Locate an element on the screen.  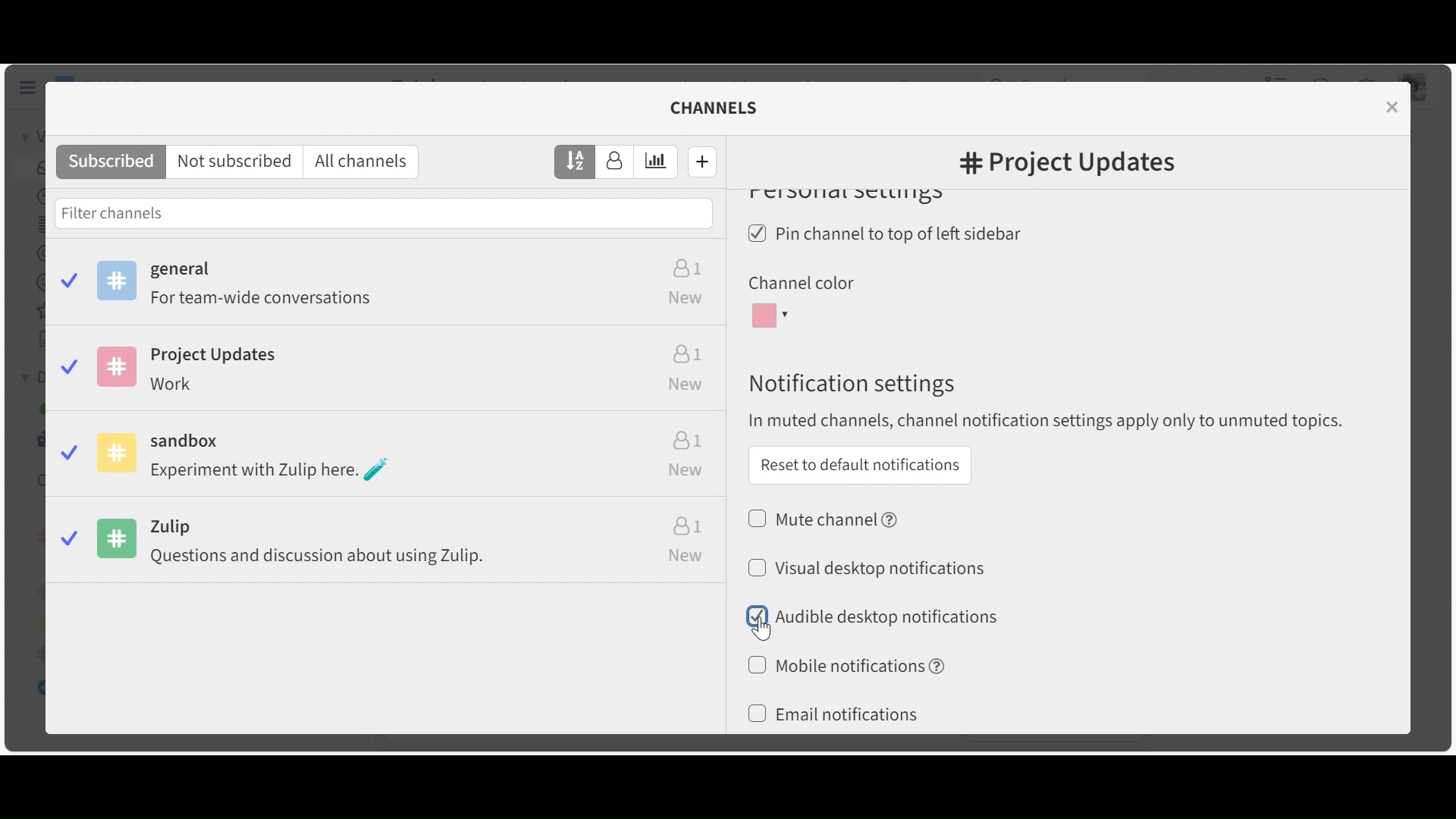
Sort by estimated weekly traffic is located at coordinates (657, 162).